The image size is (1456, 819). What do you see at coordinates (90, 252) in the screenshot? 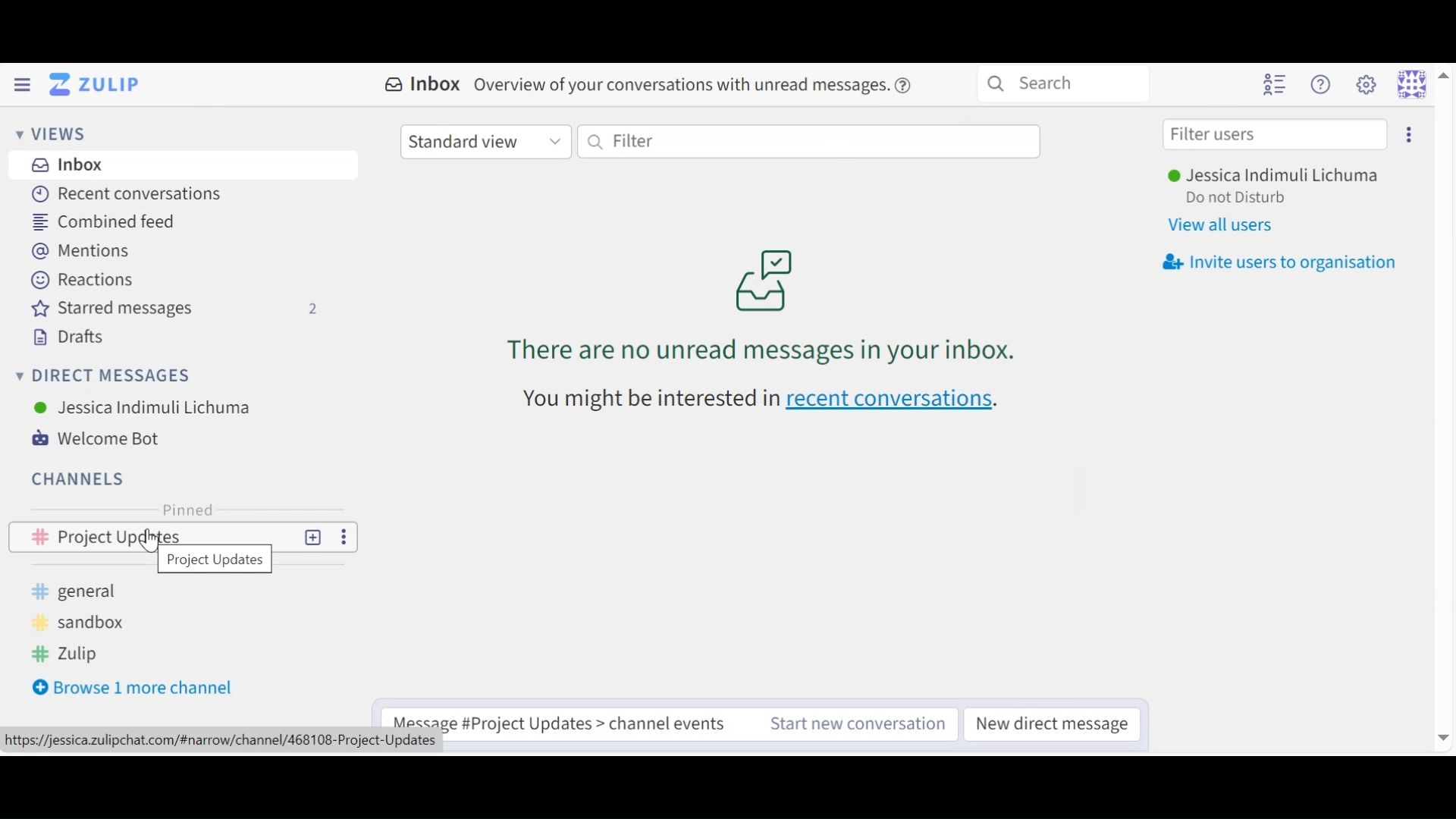
I see `Mentions` at bounding box center [90, 252].